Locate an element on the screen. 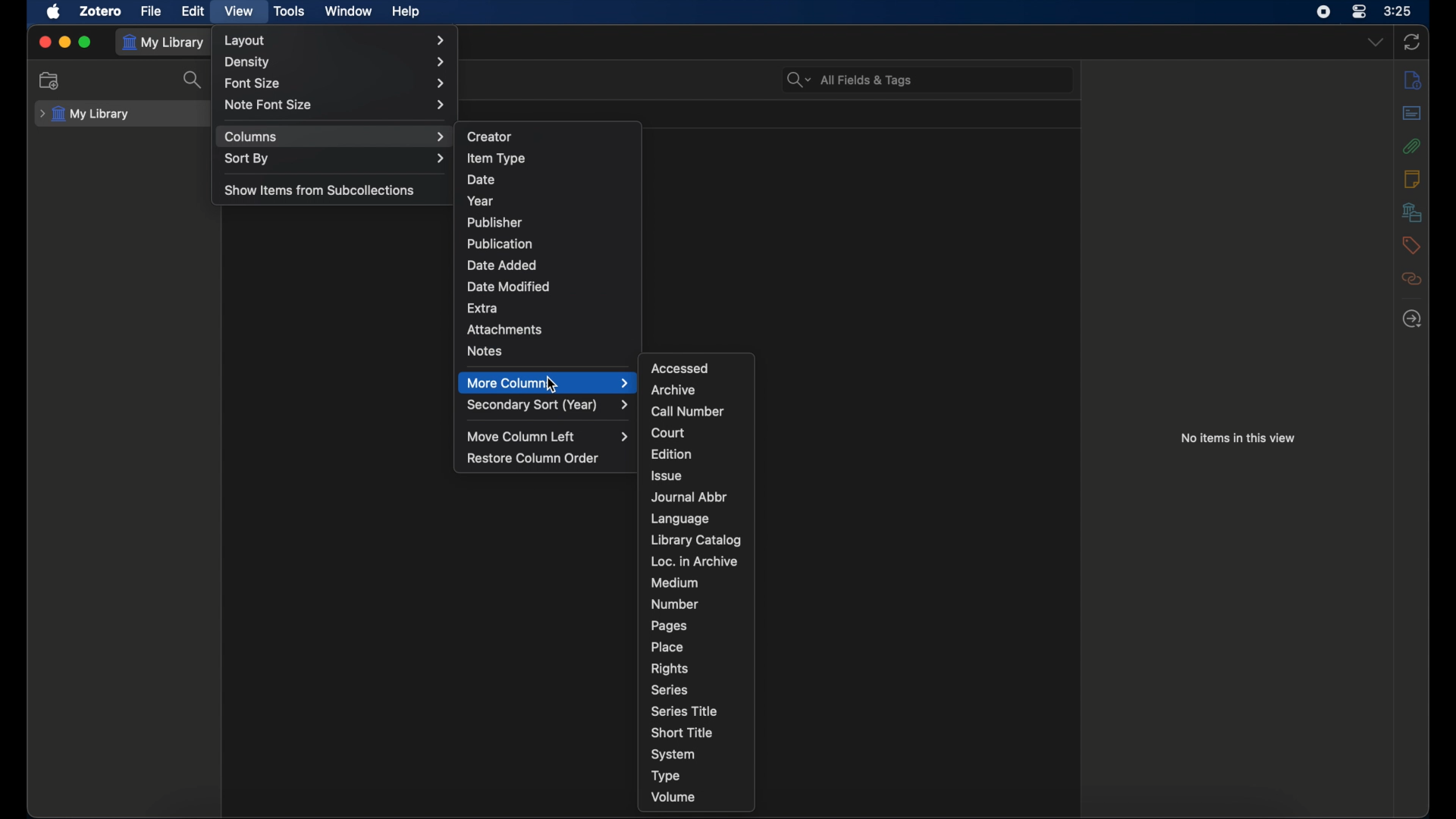  zotero is located at coordinates (101, 11).